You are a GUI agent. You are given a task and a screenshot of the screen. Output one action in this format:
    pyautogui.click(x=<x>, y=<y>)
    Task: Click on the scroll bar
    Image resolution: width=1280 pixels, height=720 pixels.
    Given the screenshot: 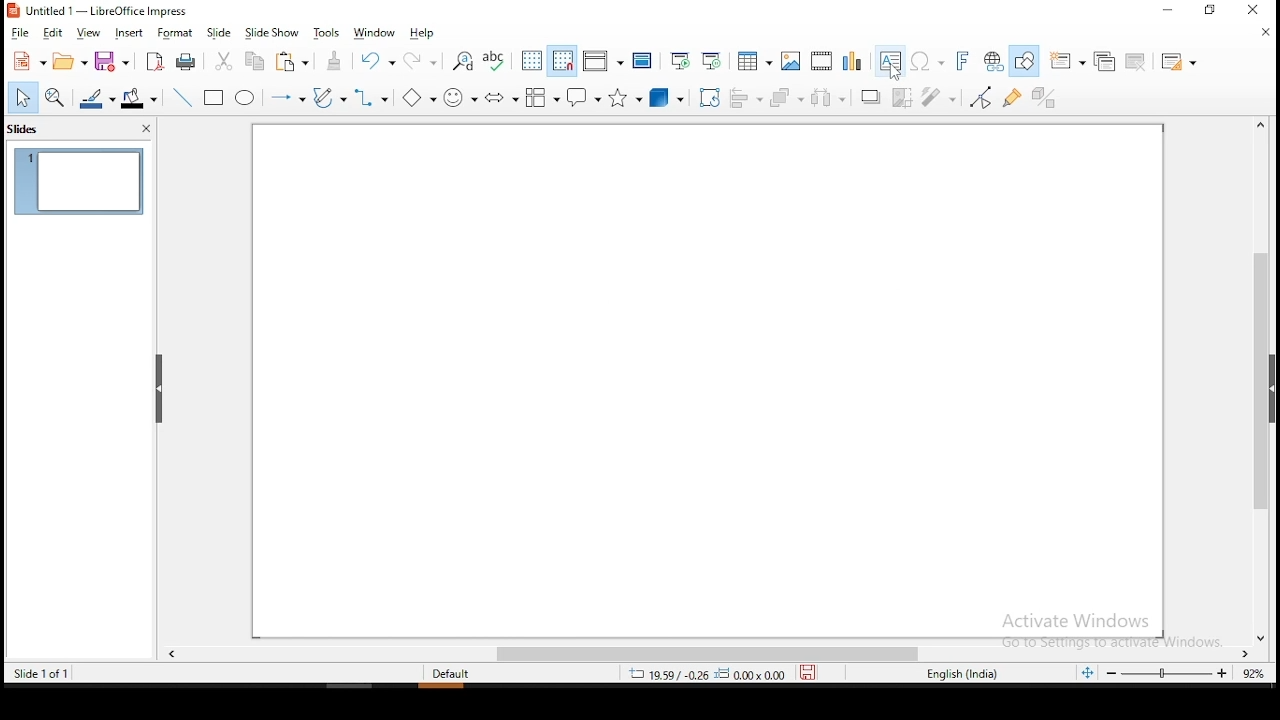 What is the action you would take?
    pyautogui.click(x=705, y=654)
    